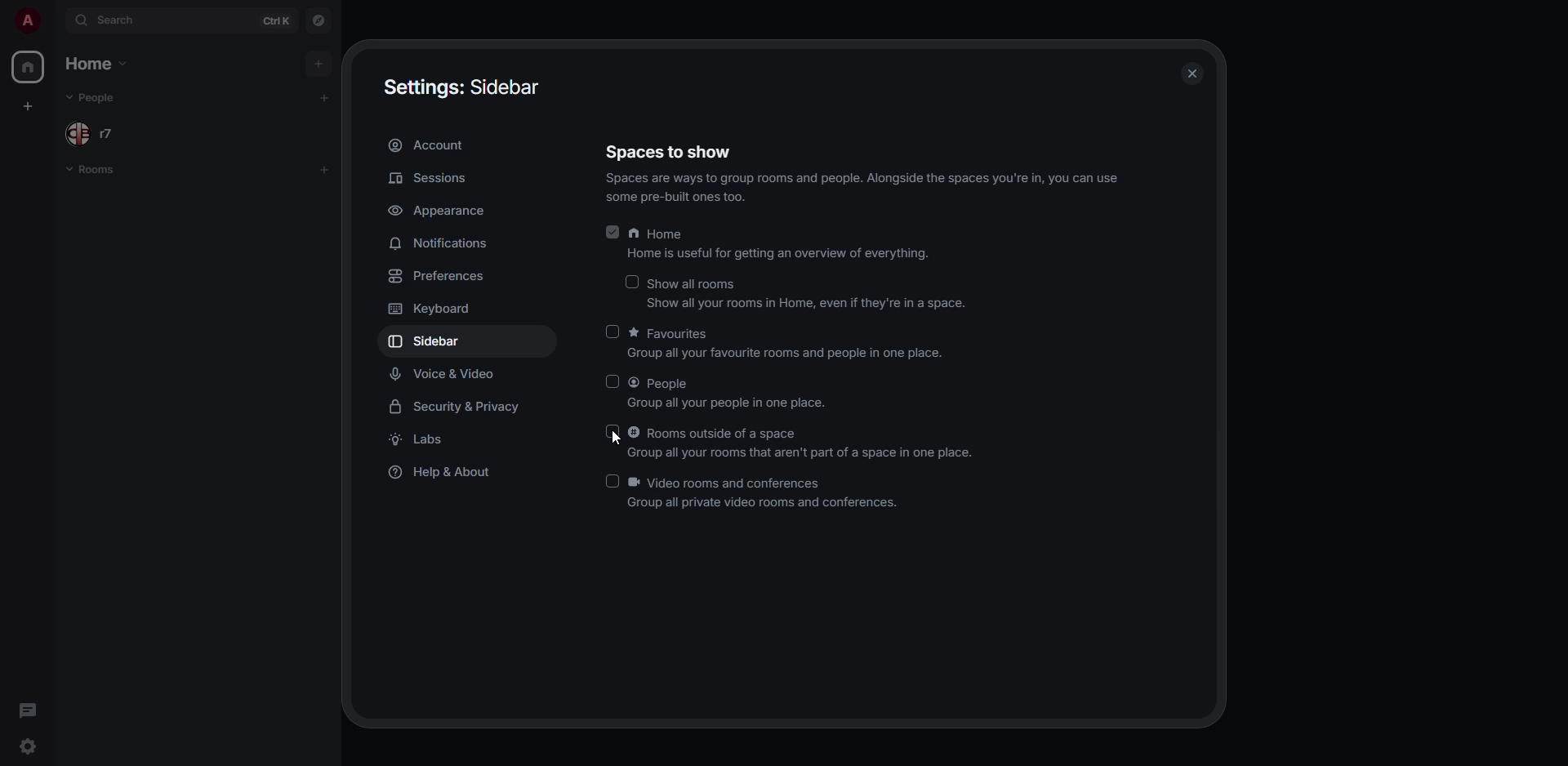 This screenshot has height=766, width=1568. Describe the element at coordinates (436, 211) in the screenshot. I see `appearance` at that location.